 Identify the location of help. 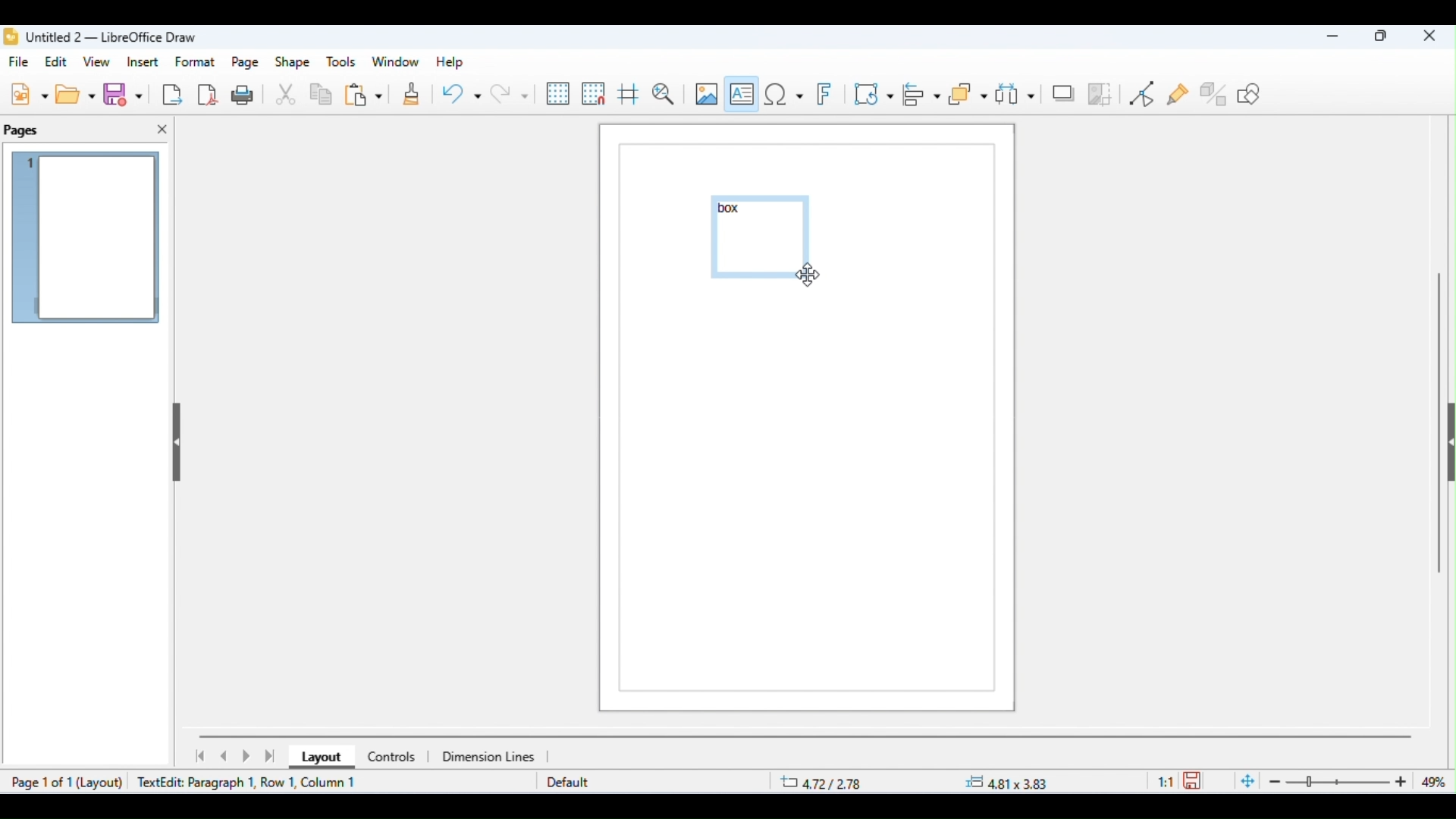
(447, 62).